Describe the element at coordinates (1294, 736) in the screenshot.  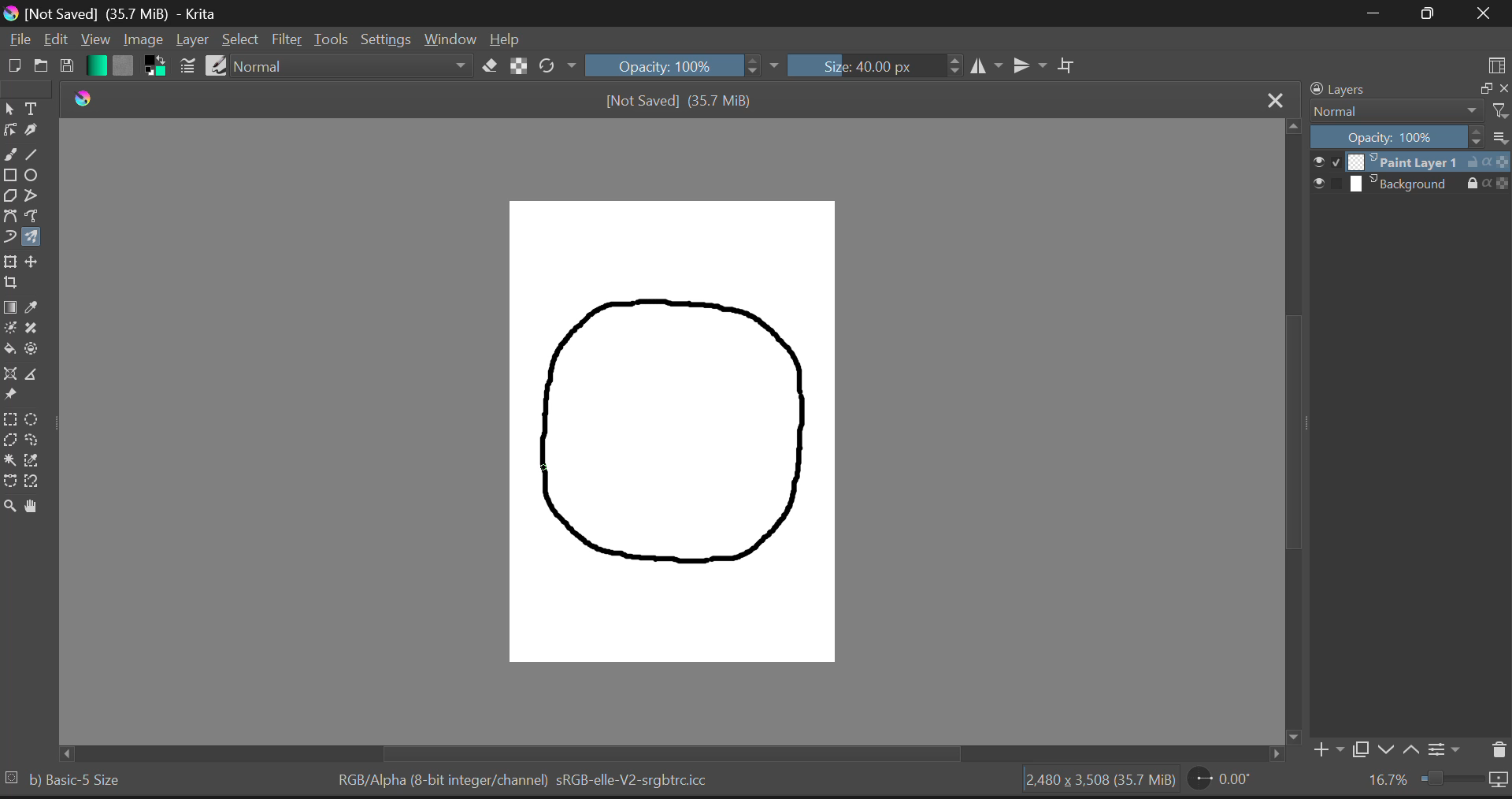
I see `` at that location.